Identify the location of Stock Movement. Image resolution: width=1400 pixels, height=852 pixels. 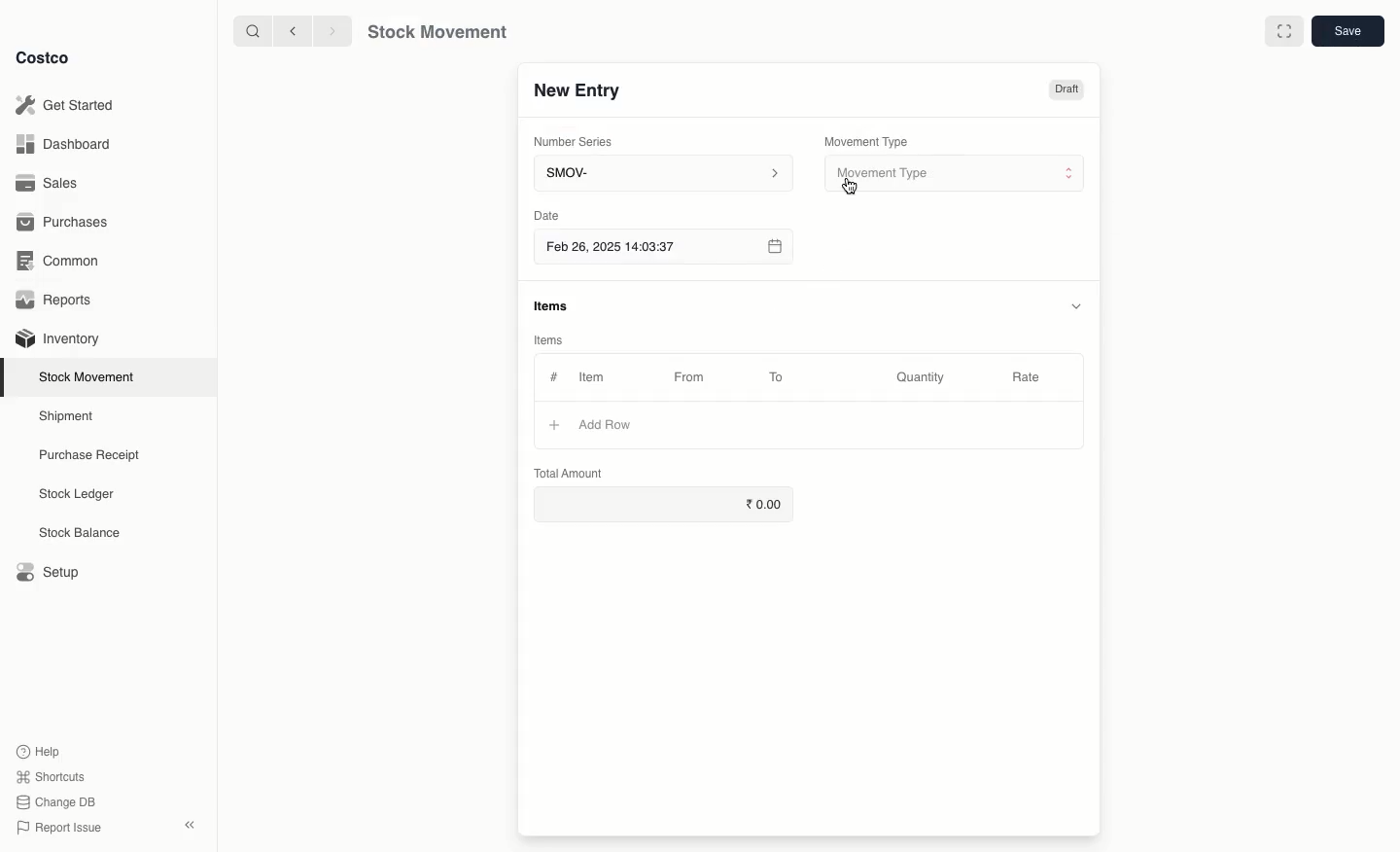
(90, 376).